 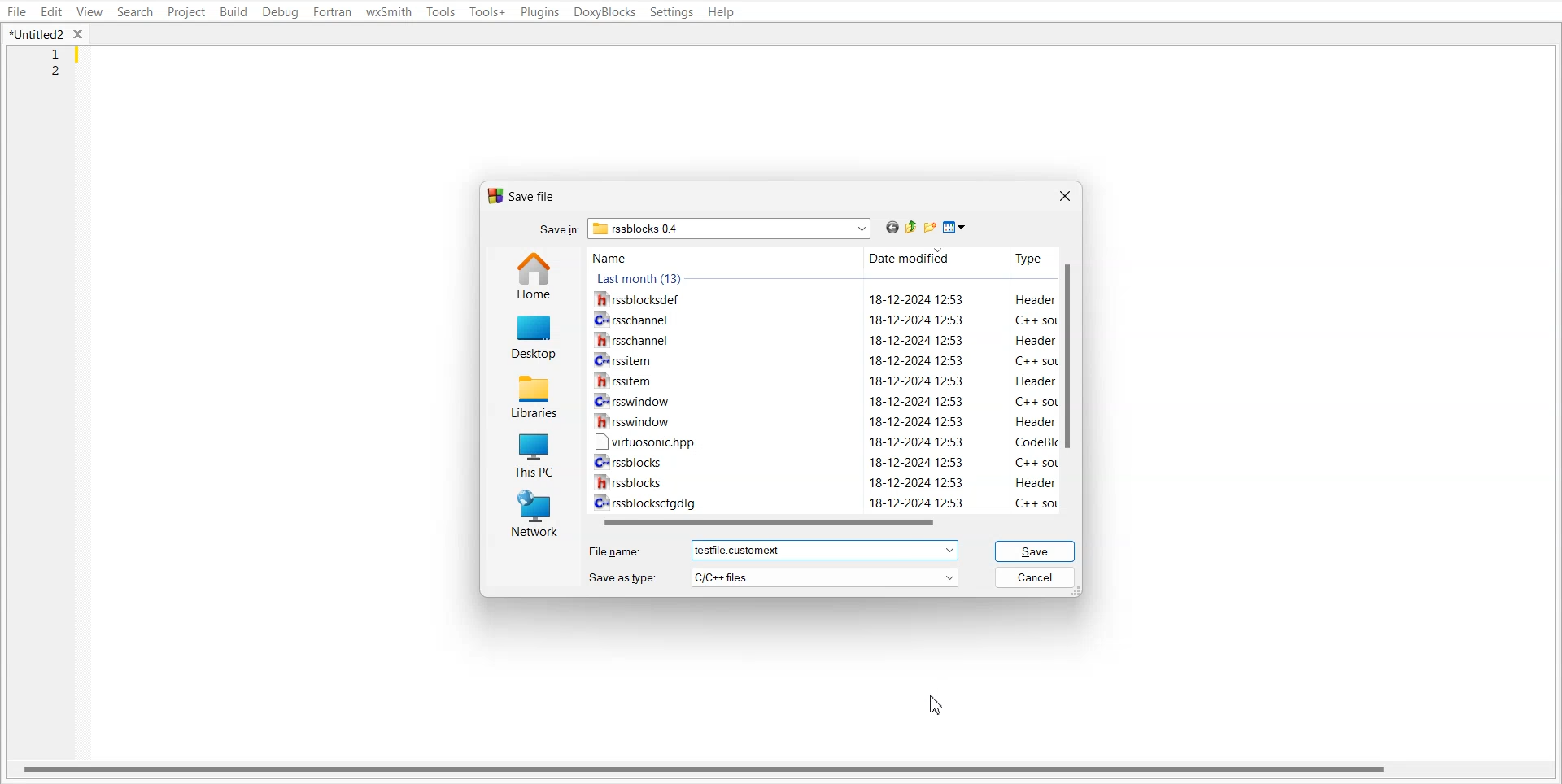 What do you see at coordinates (1065, 194) in the screenshot?
I see `Close` at bounding box center [1065, 194].